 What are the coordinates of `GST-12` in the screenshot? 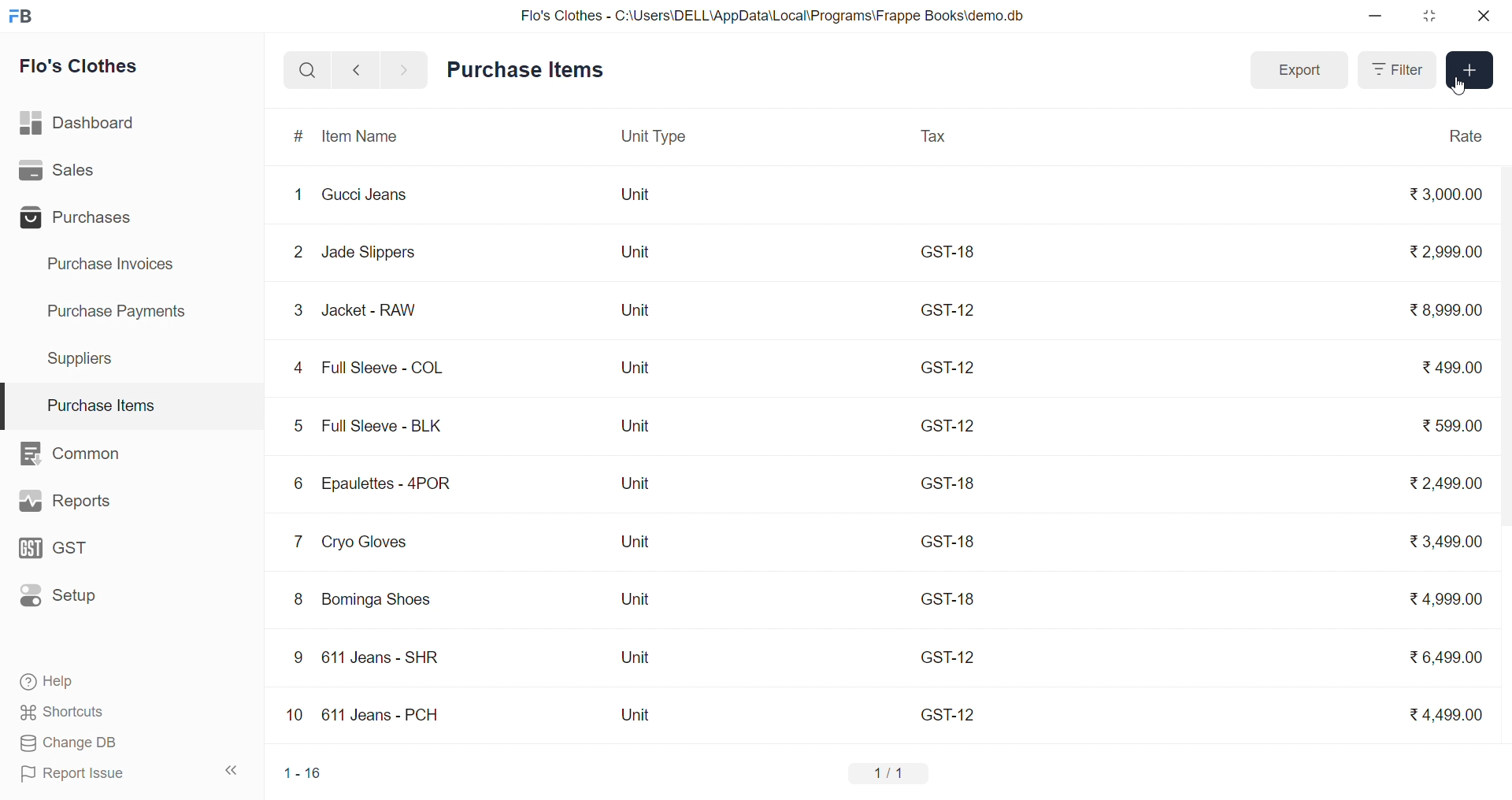 It's located at (949, 309).